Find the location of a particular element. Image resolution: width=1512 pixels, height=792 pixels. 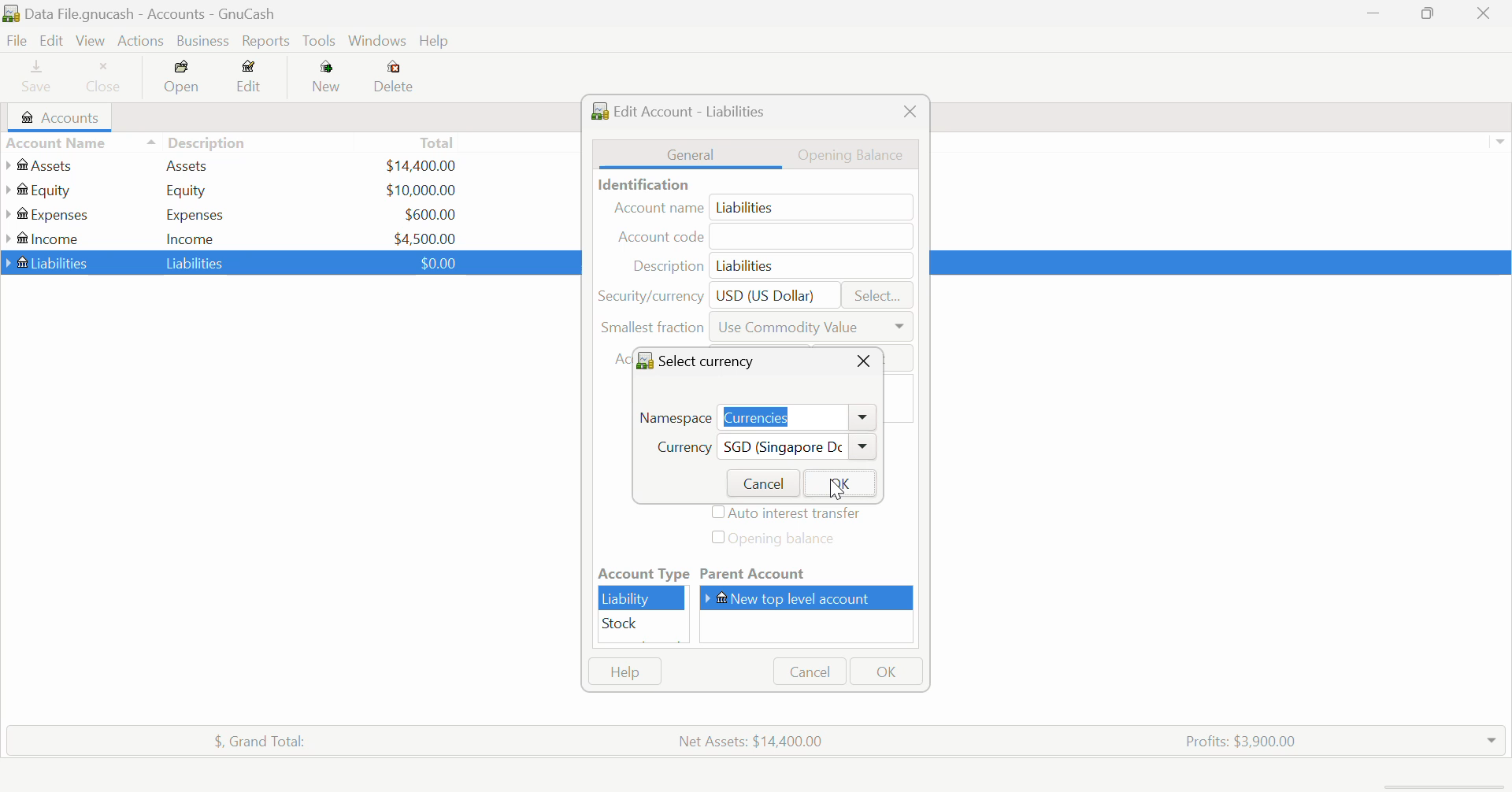

Save is located at coordinates (30, 79).